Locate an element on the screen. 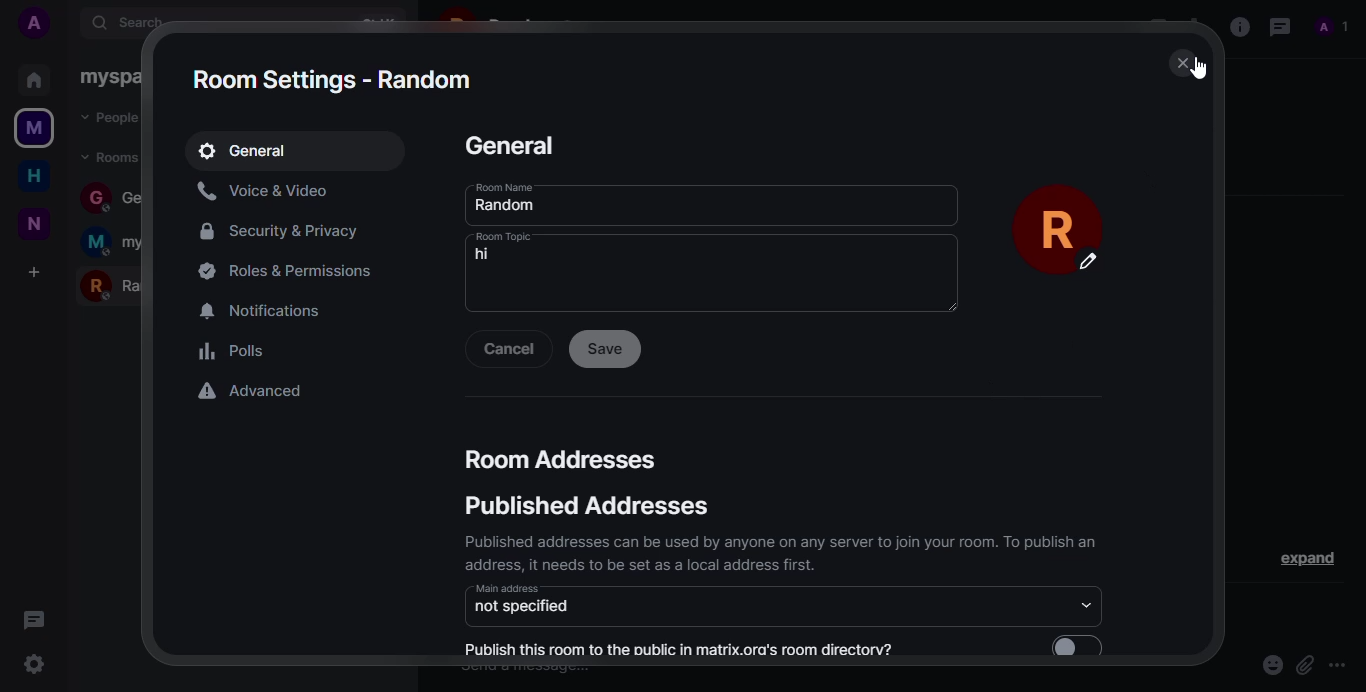 The image size is (1366, 692). home is located at coordinates (33, 177).